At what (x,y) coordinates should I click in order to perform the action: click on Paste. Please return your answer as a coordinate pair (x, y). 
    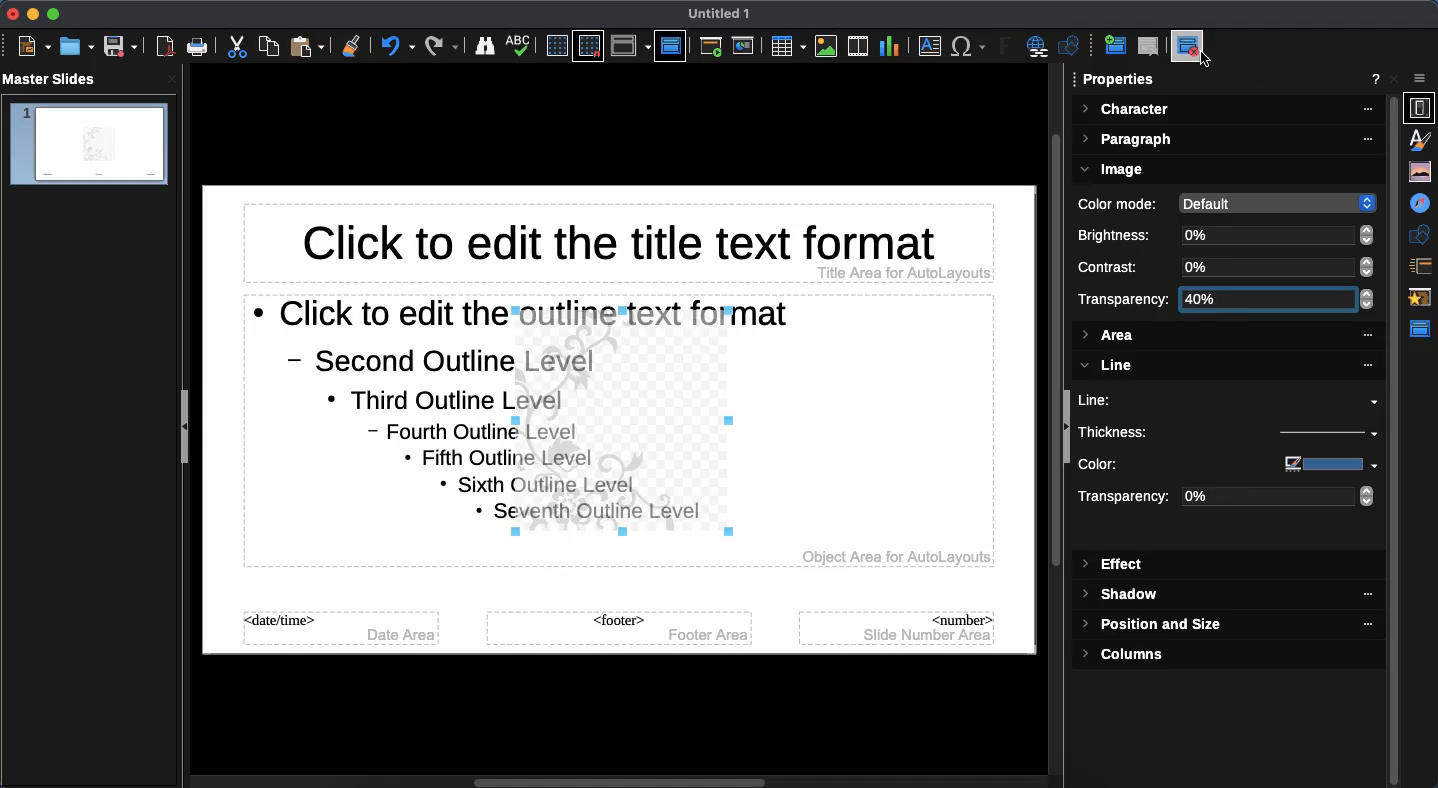
    Looking at the image, I should click on (309, 46).